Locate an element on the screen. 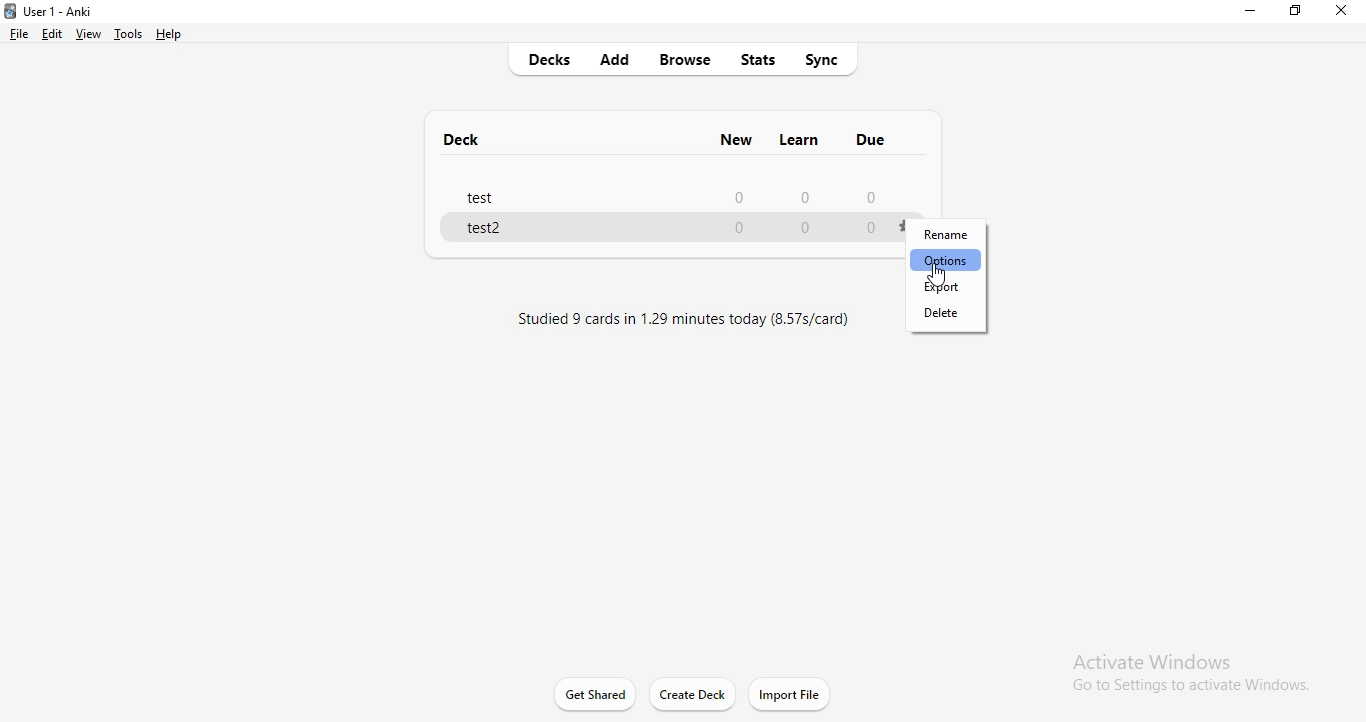 Image resolution: width=1366 pixels, height=722 pixels. delete is located at coordinates (944, 317).